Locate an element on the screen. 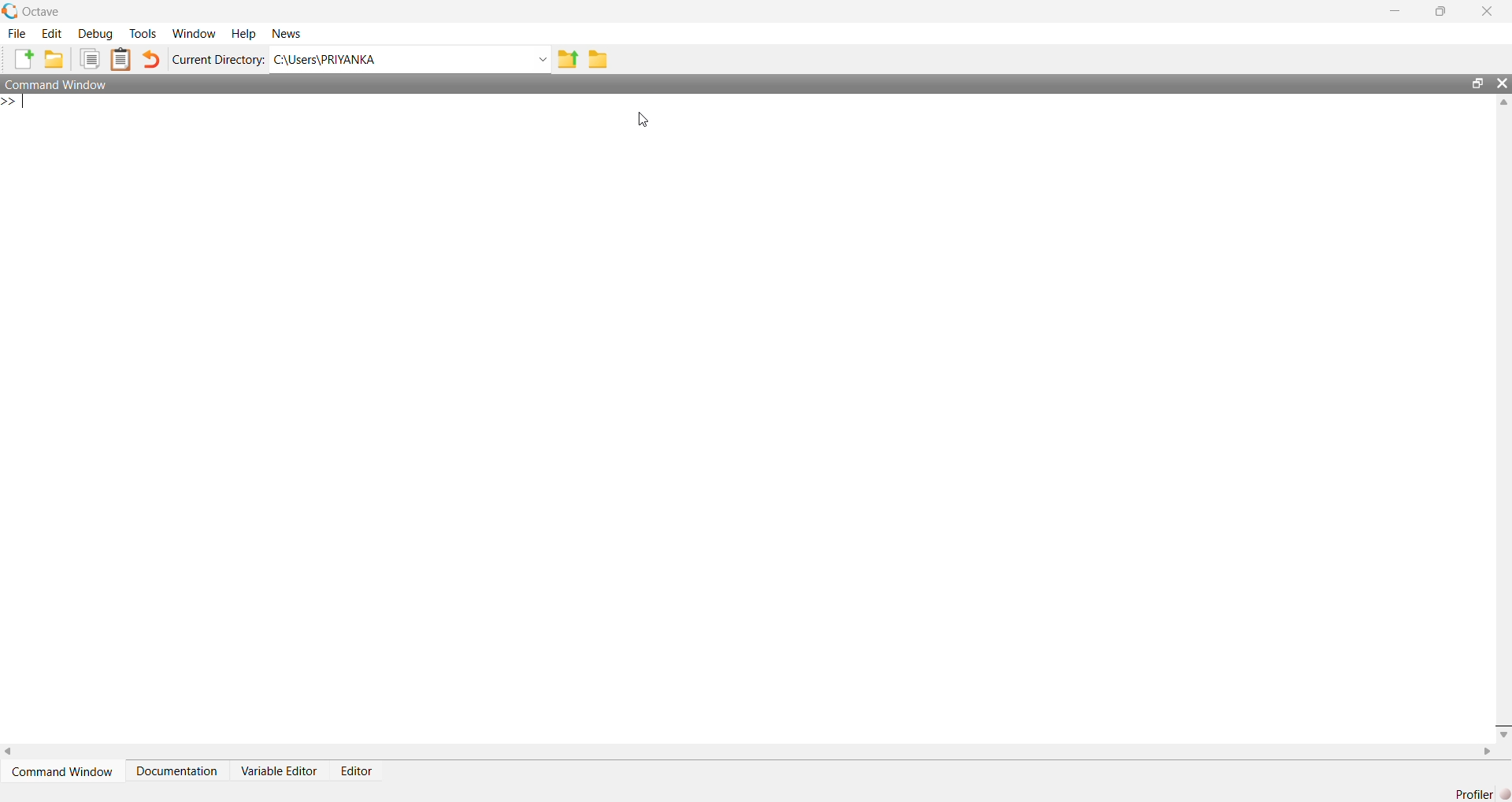 Image resolution: width=1512 pixels, height=802 pixels. Variable Editor is located at coordinates (278, 770).